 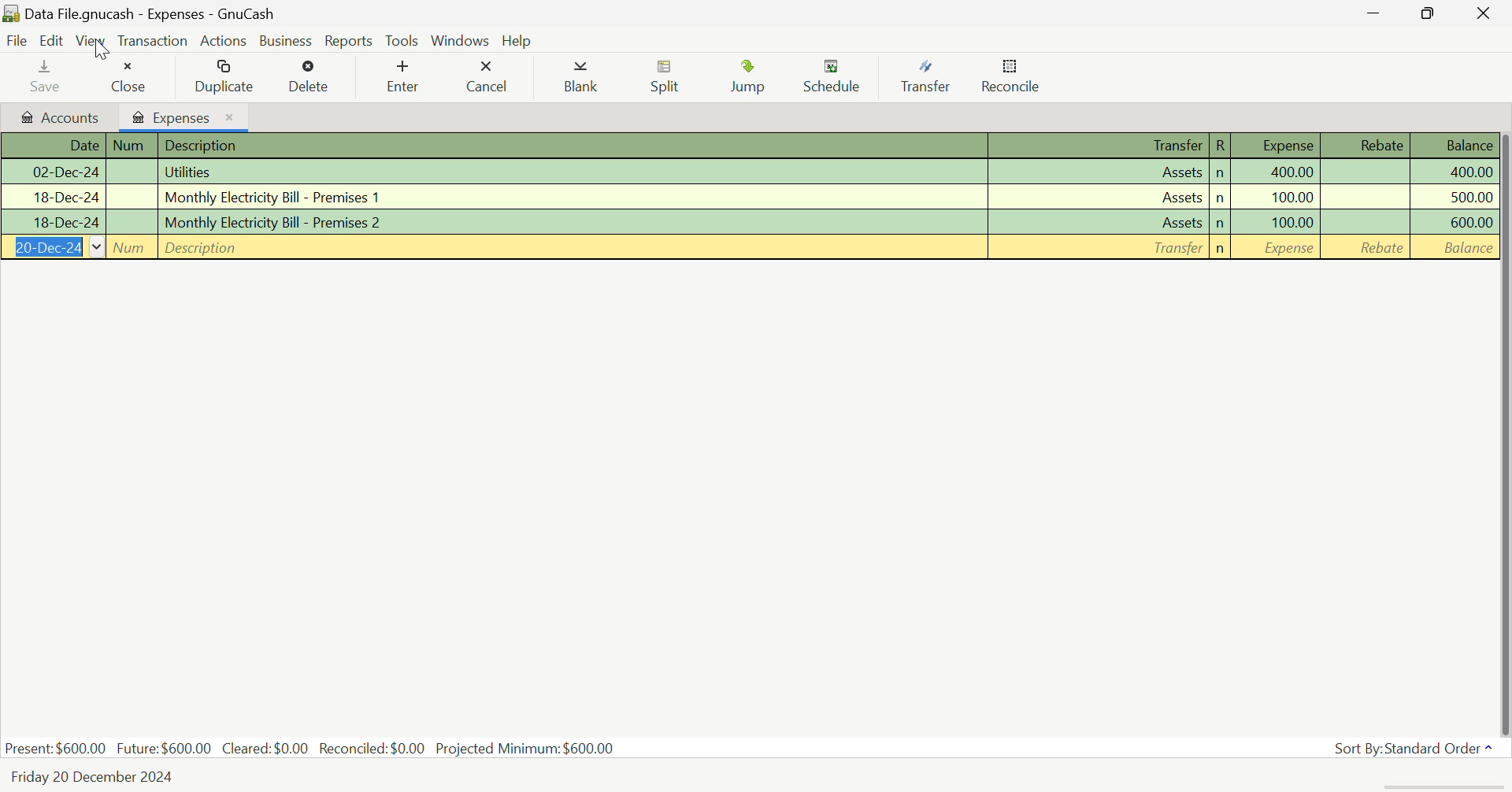 What do you see at coordinates (129, 246) in the screenshot?
I see `Num` at bounding box center [129, 246].